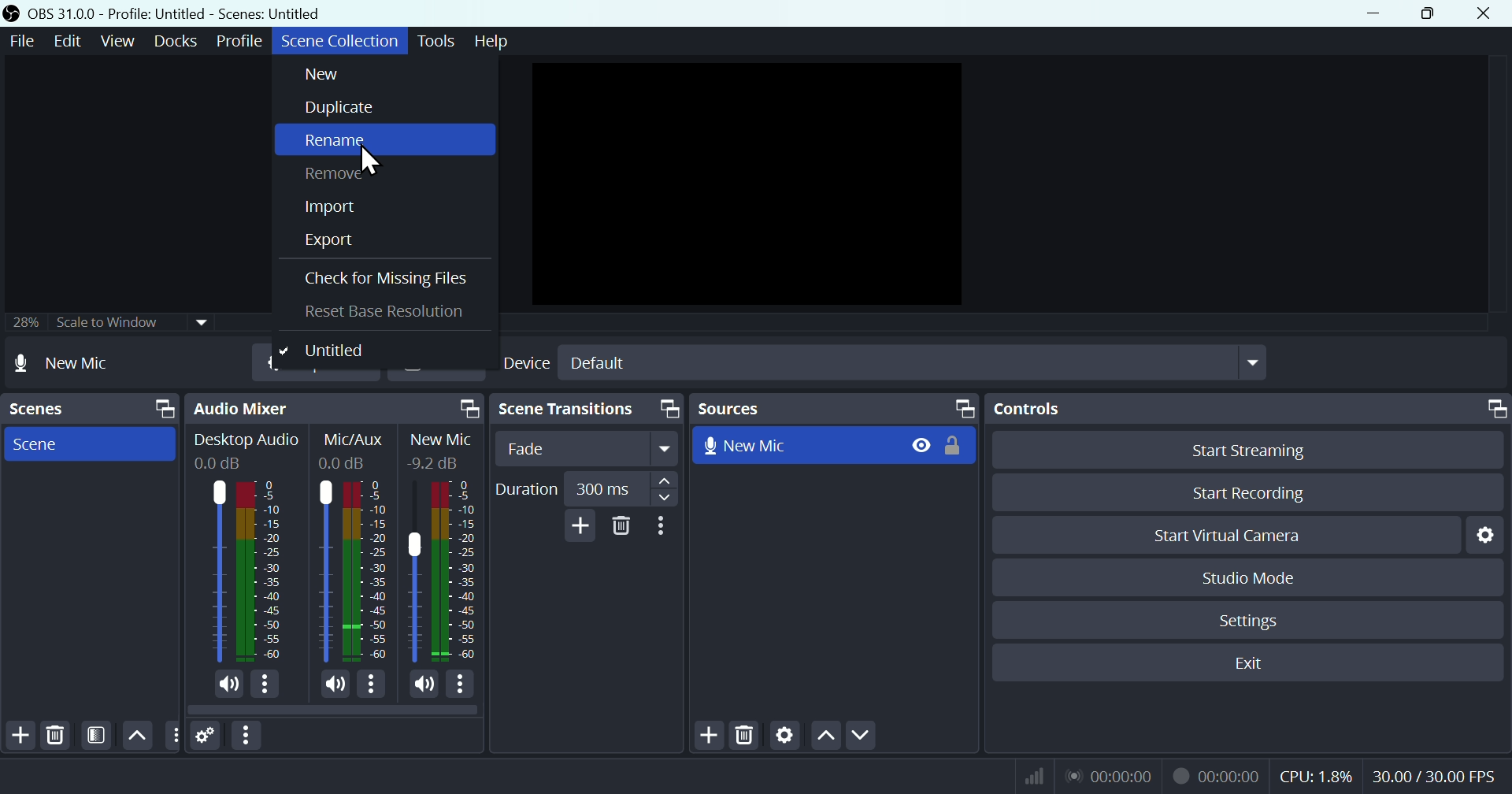 The image size is (1512, 794). What do you see at coordinates (665, 529) in the screenshot?
I see `More options` at bounding box center [665, 529].